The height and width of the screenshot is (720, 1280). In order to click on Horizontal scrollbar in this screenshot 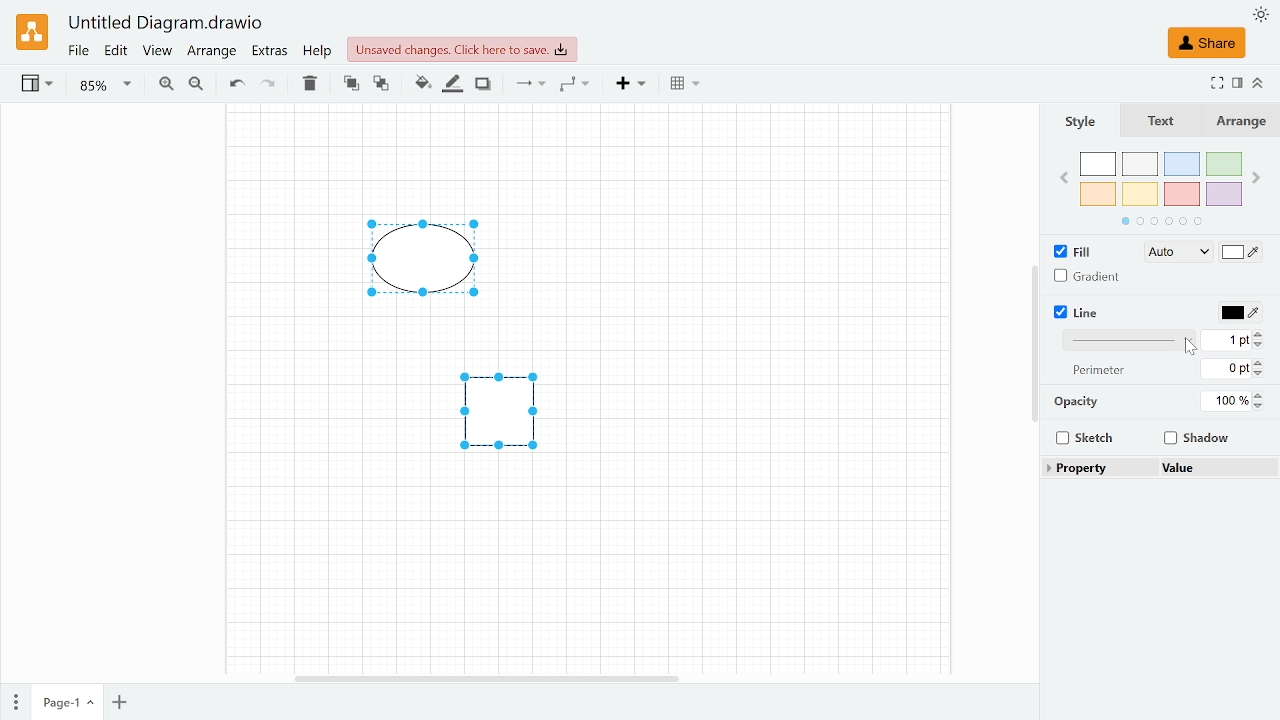, I will do `click(485, 676)`.